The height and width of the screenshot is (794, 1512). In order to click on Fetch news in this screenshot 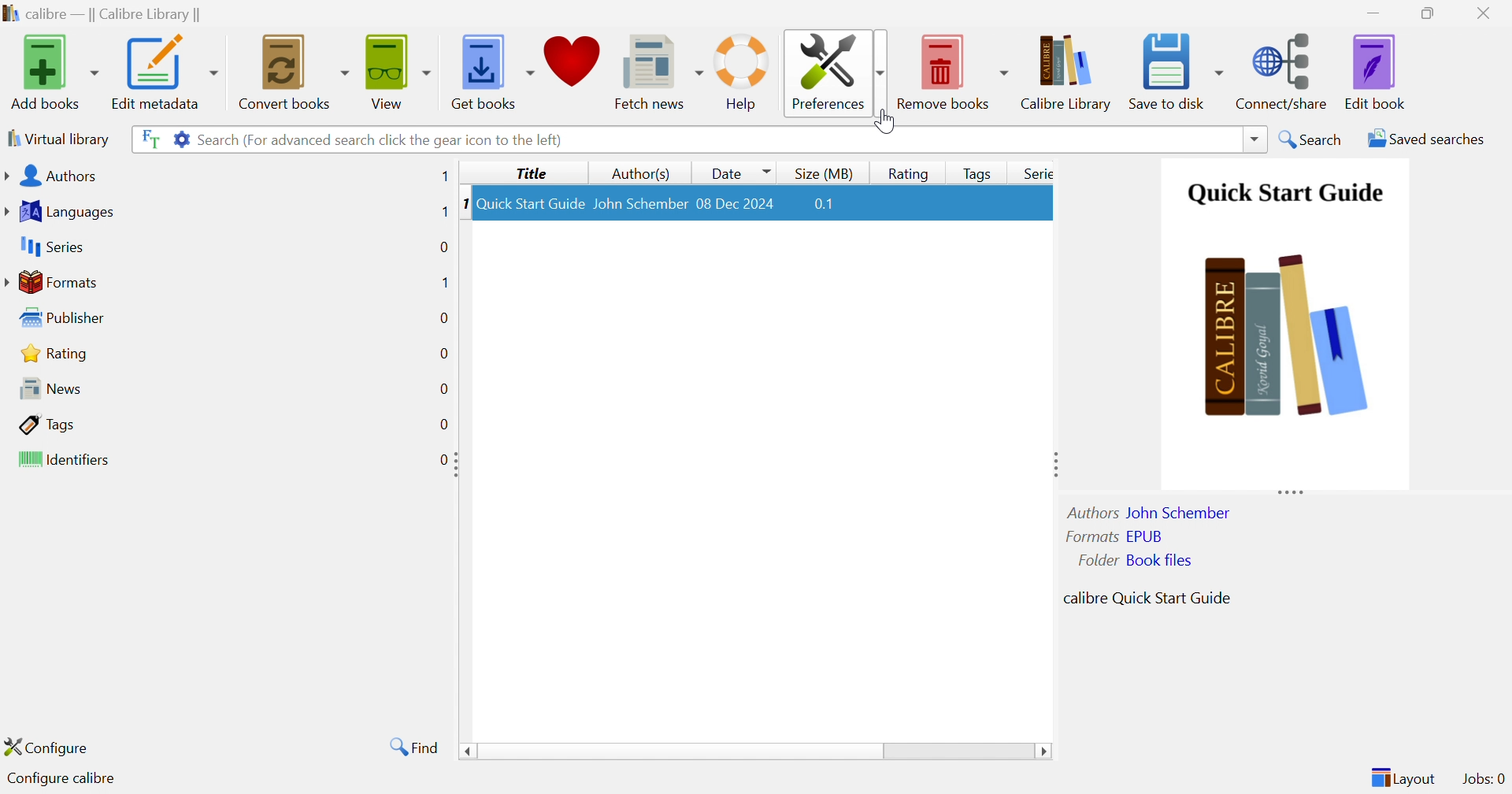, I will do `click(661, 69)`.